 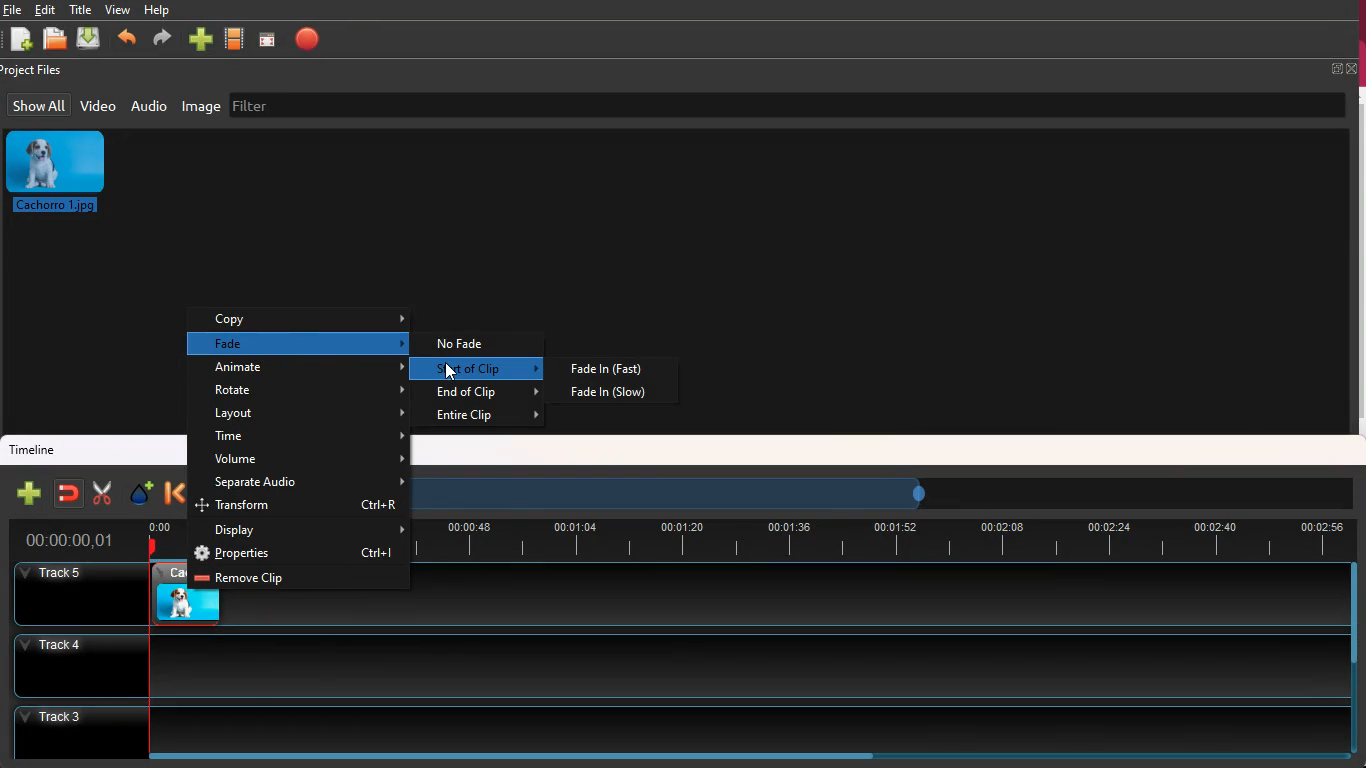 I want to click on scroll bar, so click(x=512, y=755).